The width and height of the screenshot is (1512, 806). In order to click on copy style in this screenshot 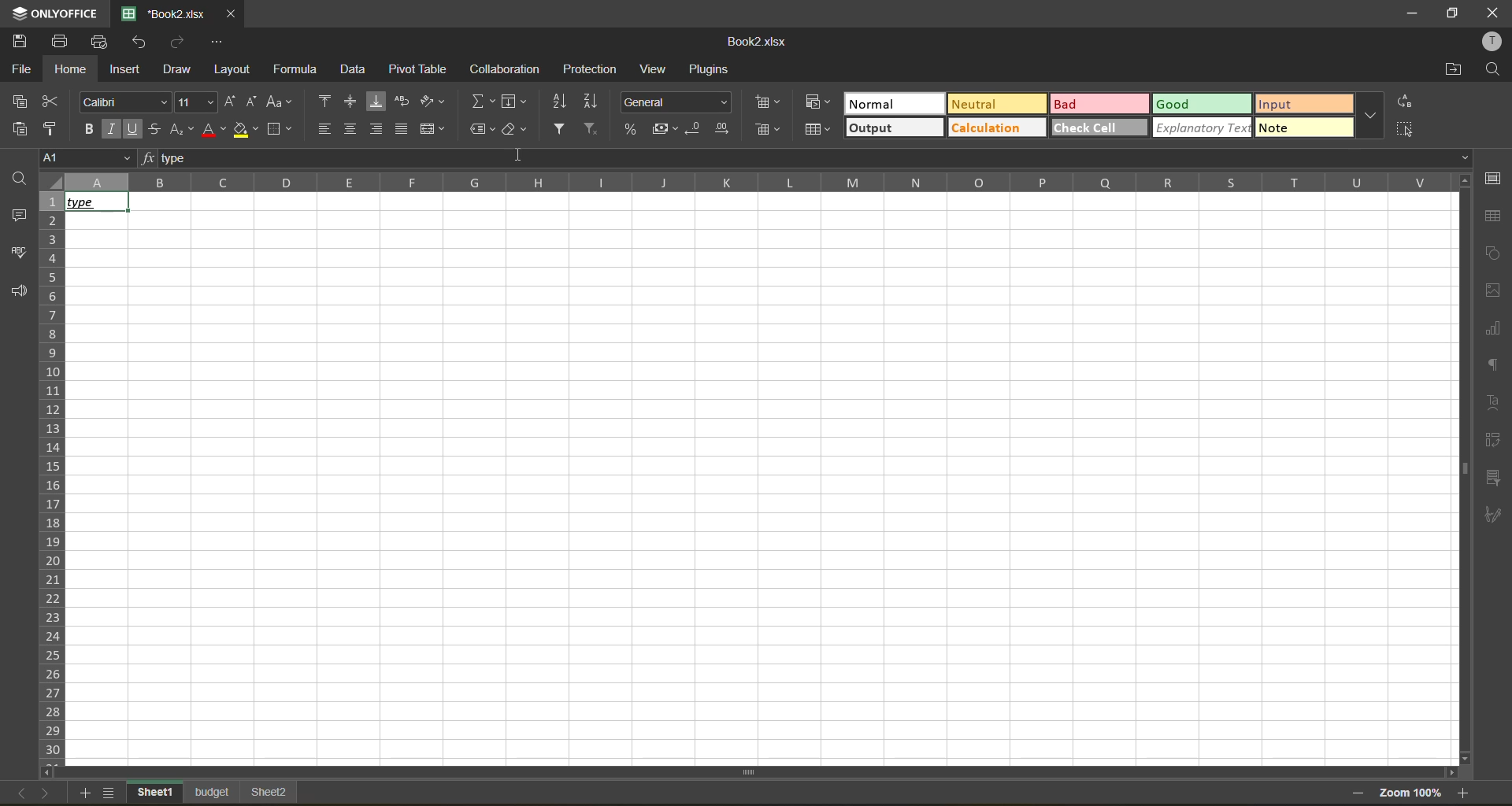, I will do `click(54, 131)`.